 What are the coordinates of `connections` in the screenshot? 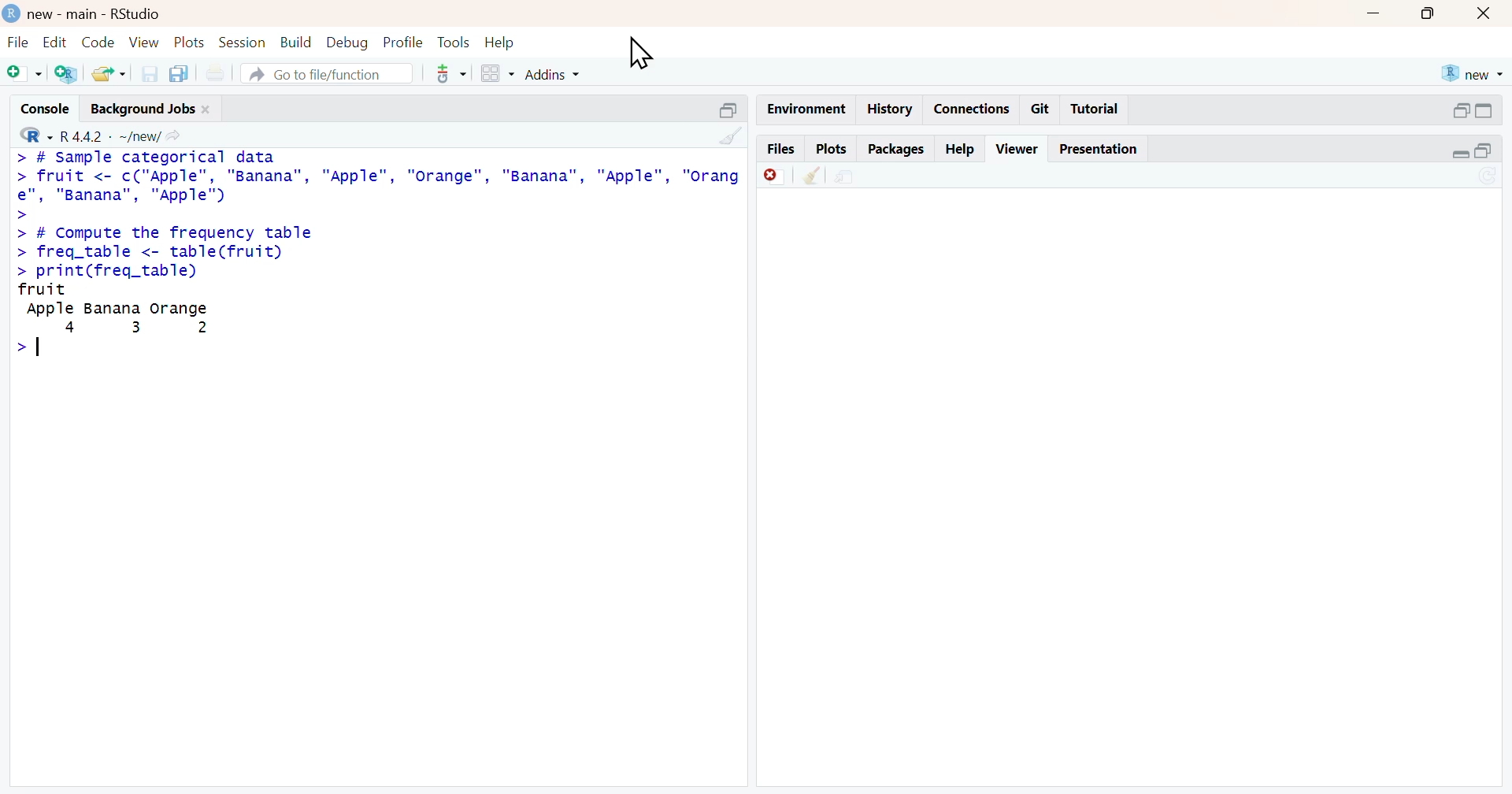 It's located at (972, 109).